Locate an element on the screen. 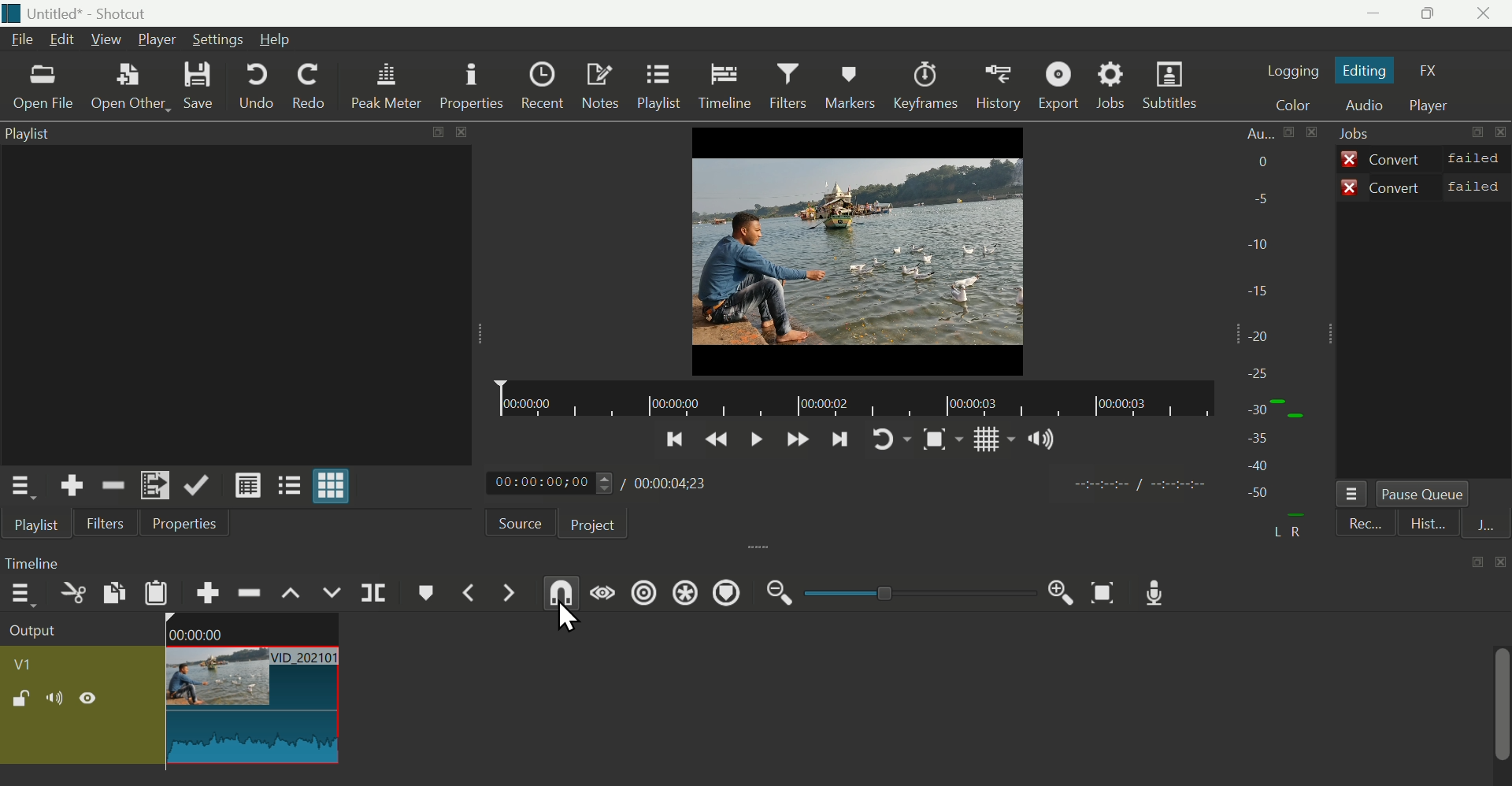 Image resolution: width=1512 pixels, height=786 pixels. Peak Meter is located at coordinates (387, 85).